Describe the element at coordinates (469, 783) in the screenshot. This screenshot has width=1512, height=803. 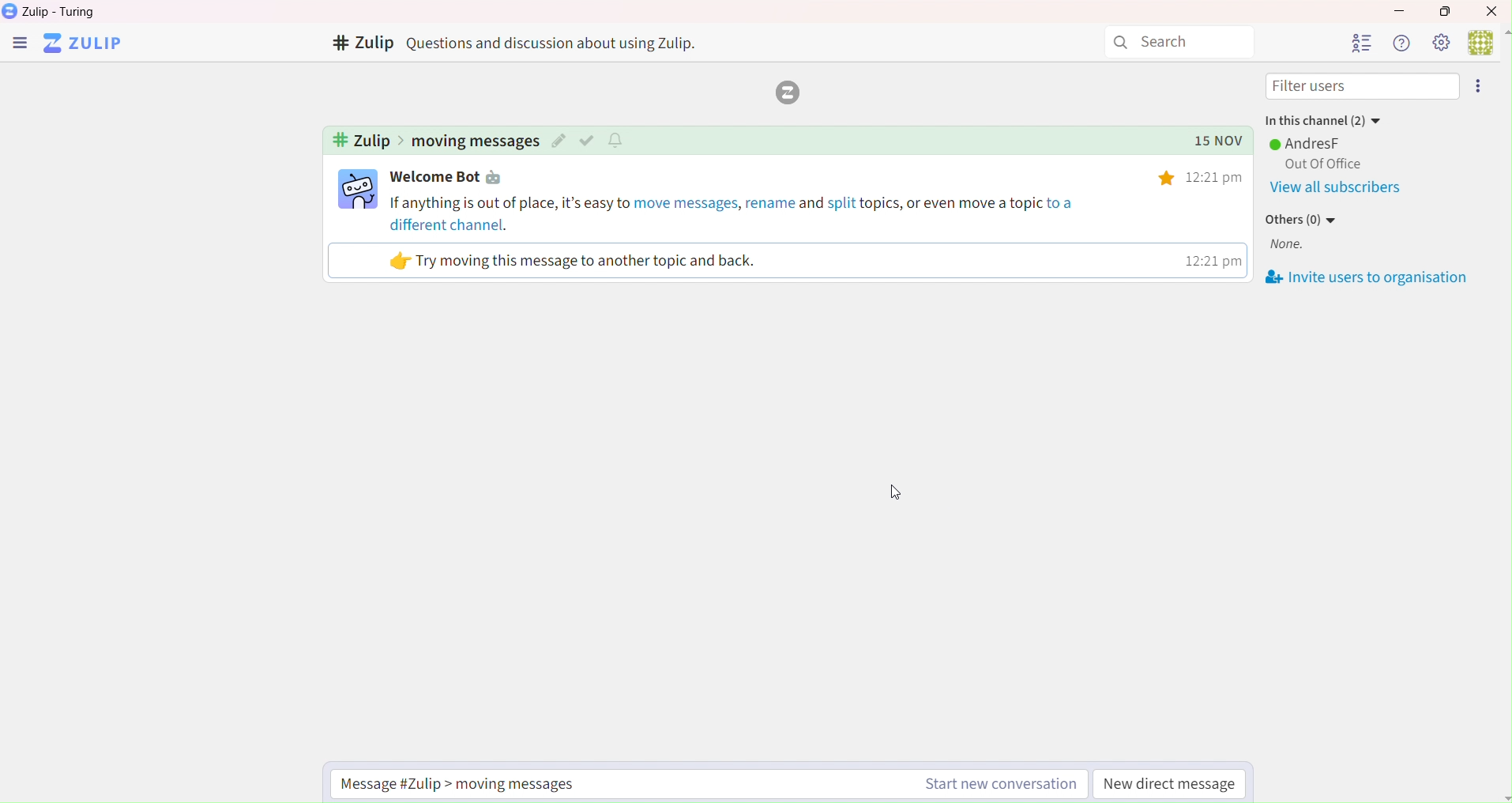
I see `Message #Zulip > moving messages` at that location.